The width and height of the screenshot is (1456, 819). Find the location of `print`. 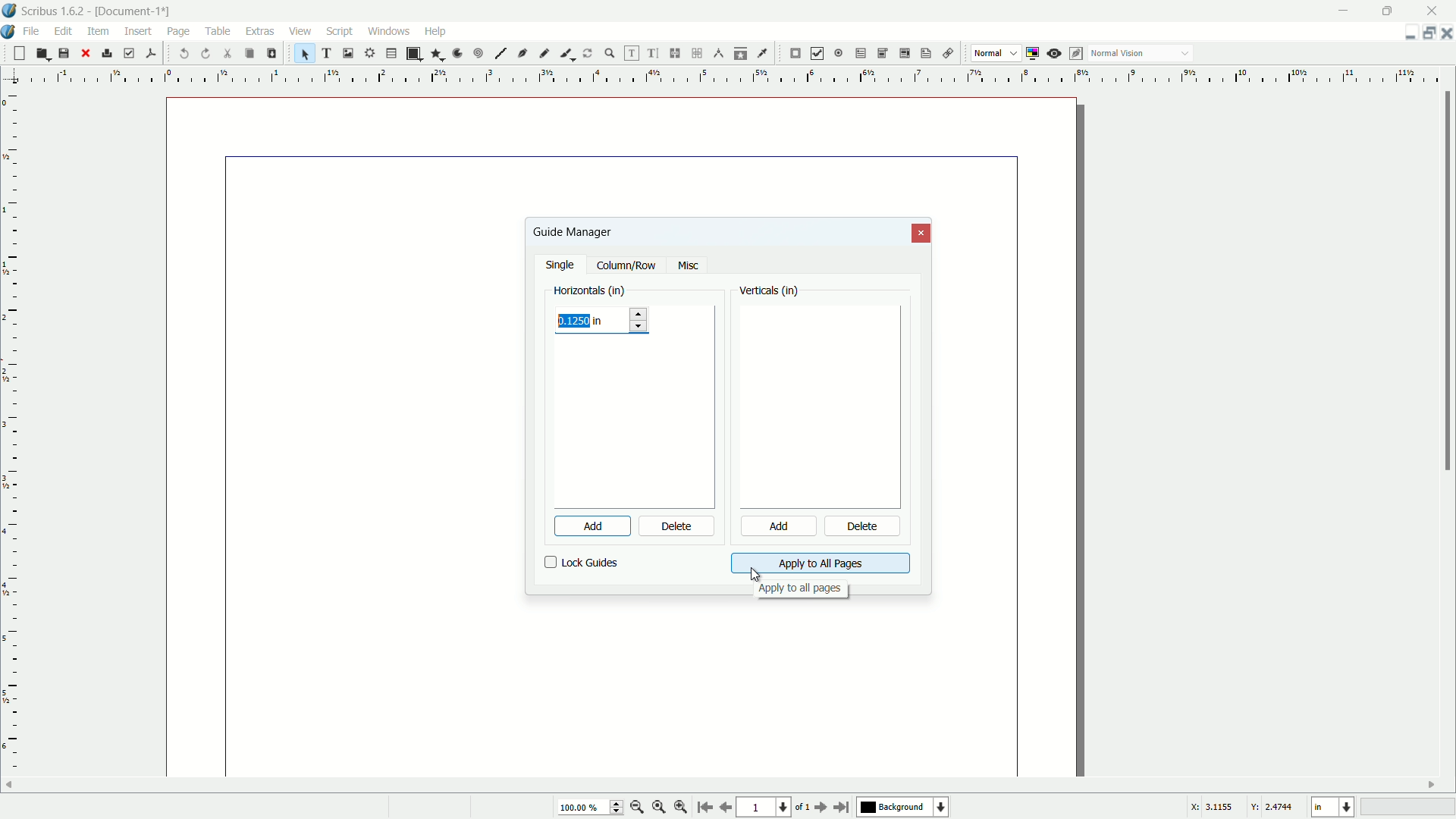

print is located at coordinates (107, 53).